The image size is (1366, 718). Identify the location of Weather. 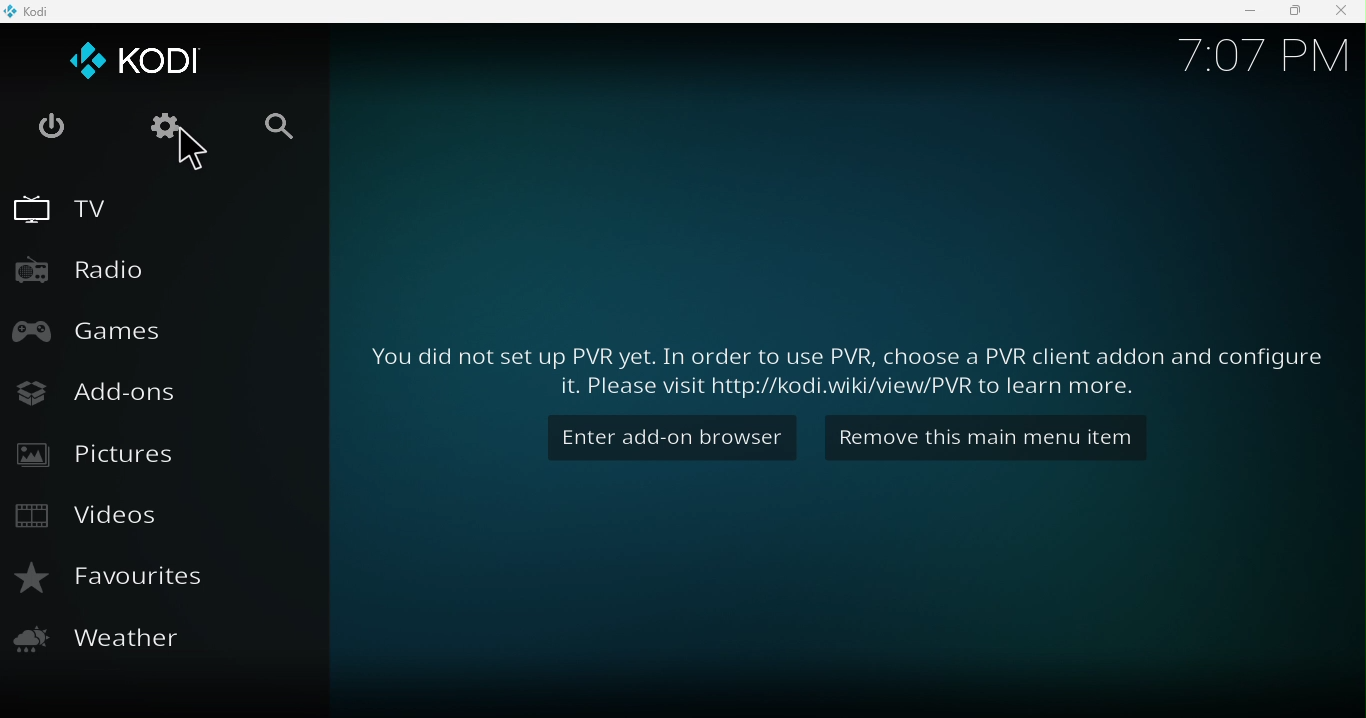
(110, 645).